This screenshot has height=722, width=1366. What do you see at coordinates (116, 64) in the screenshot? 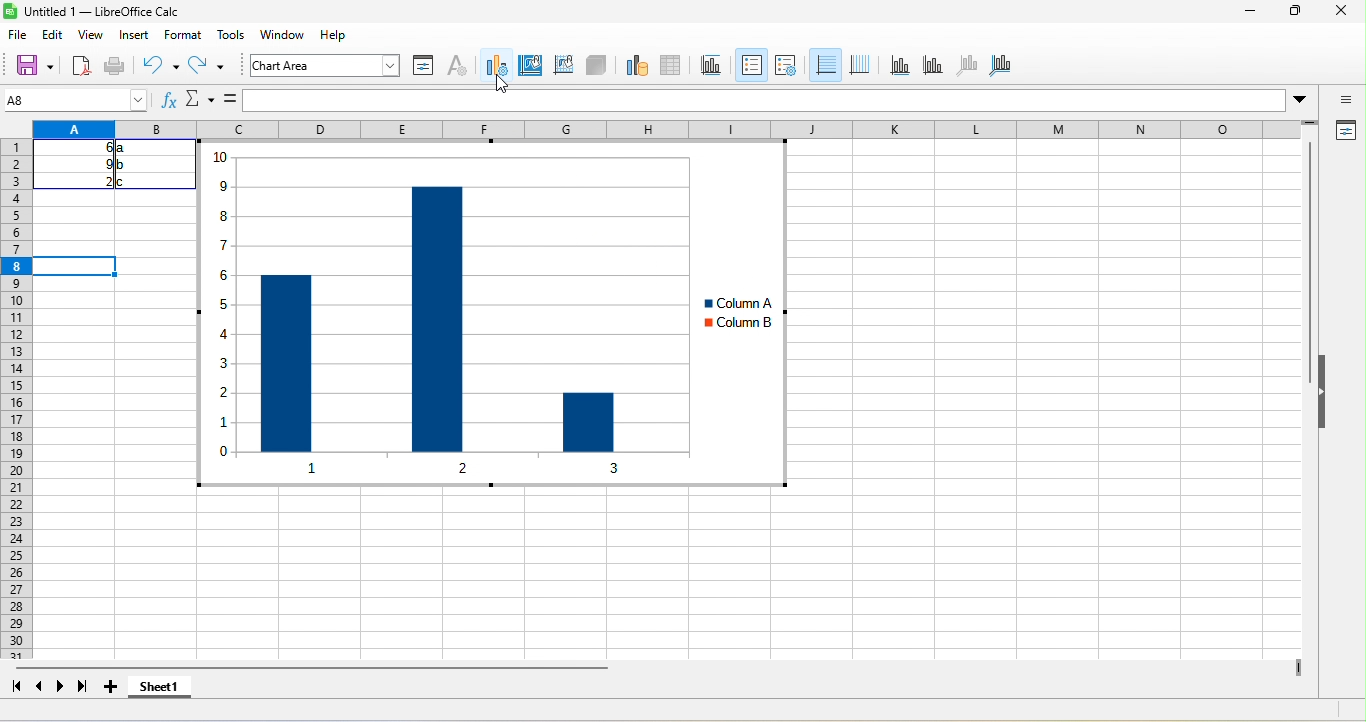
I see `save` at bounding box center [116, 64].